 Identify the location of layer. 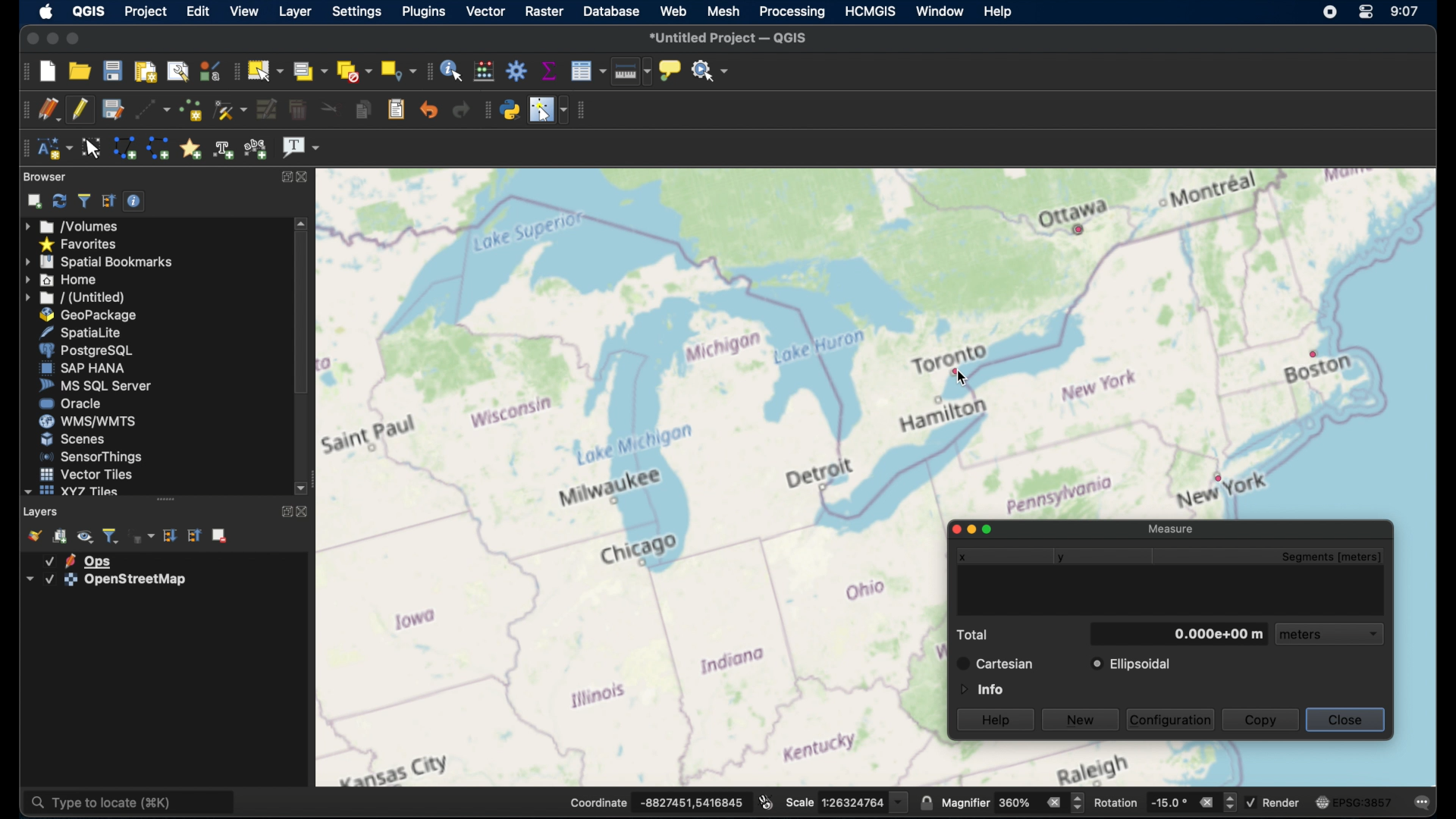
(79, 560).